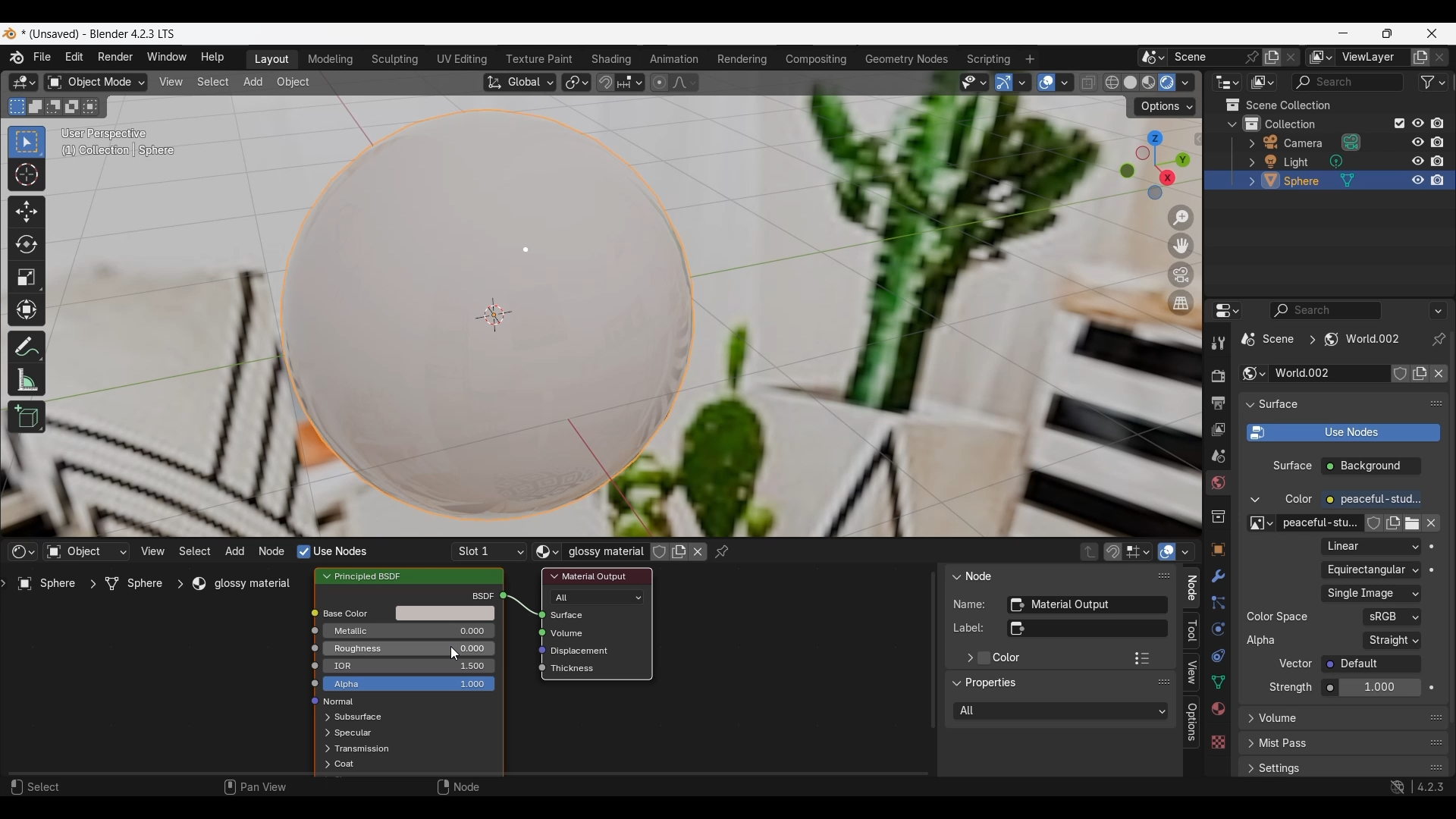  What do you see at coordinates (1232, 124) in the screenshot?
I see `Collapse` at bounding box center [1232, 124].